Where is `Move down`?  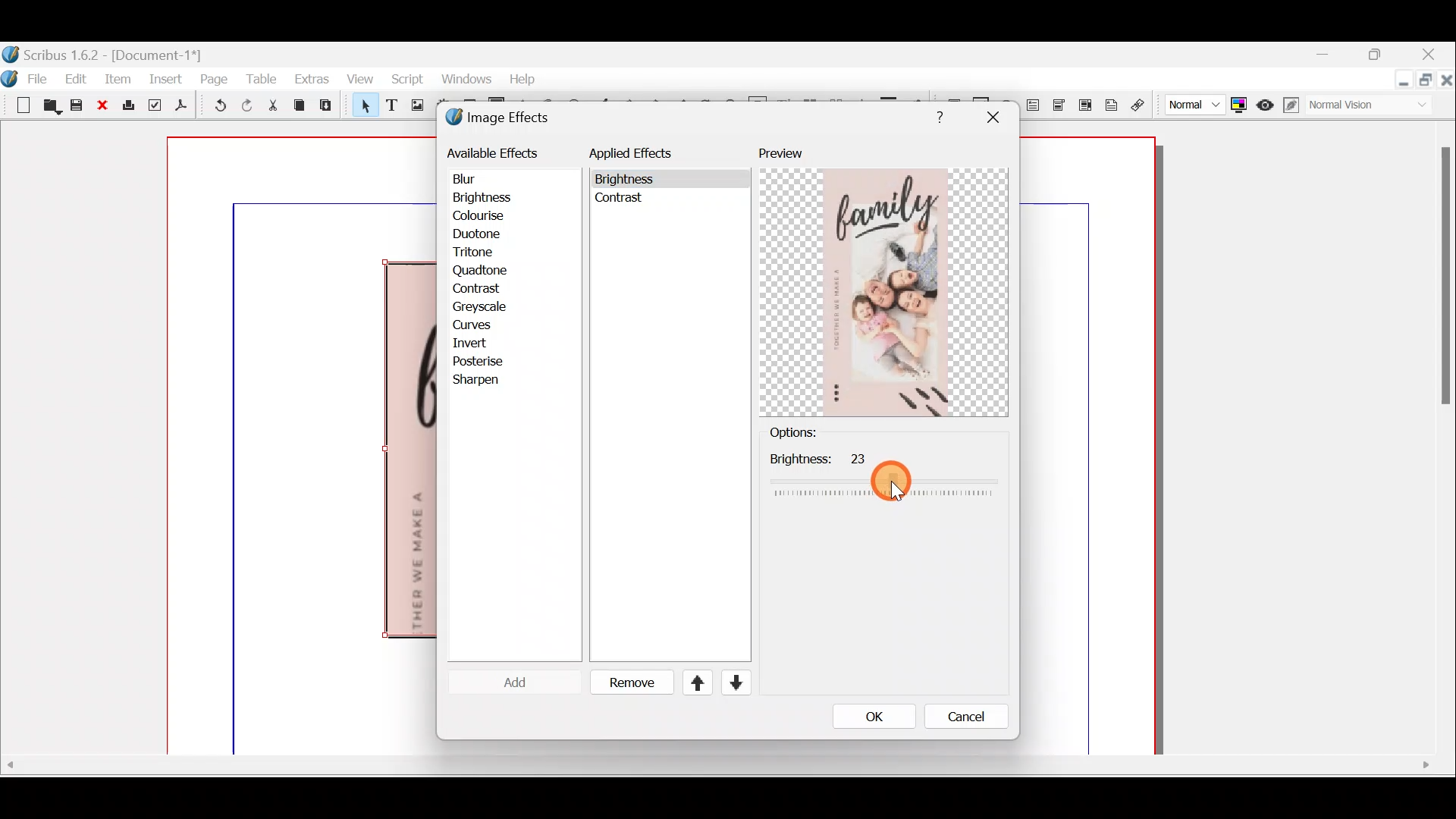 Move down is located at coordinates (734, 682).